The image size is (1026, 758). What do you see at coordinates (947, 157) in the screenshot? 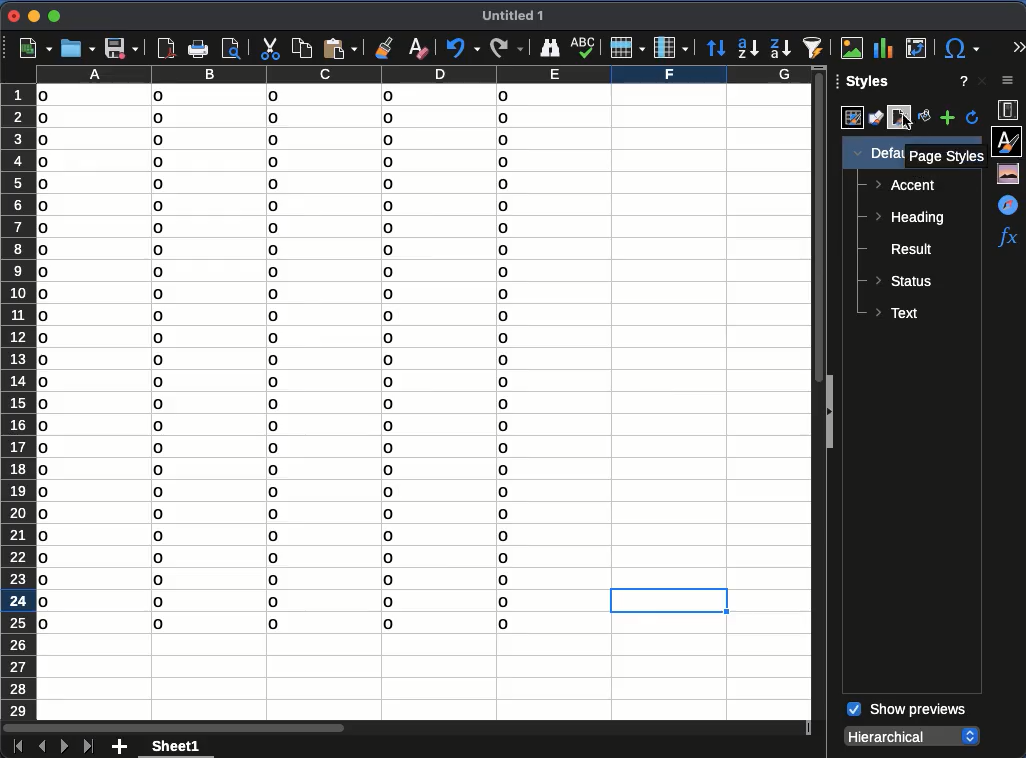
I see `page styles` at bounding box center [947, 157].